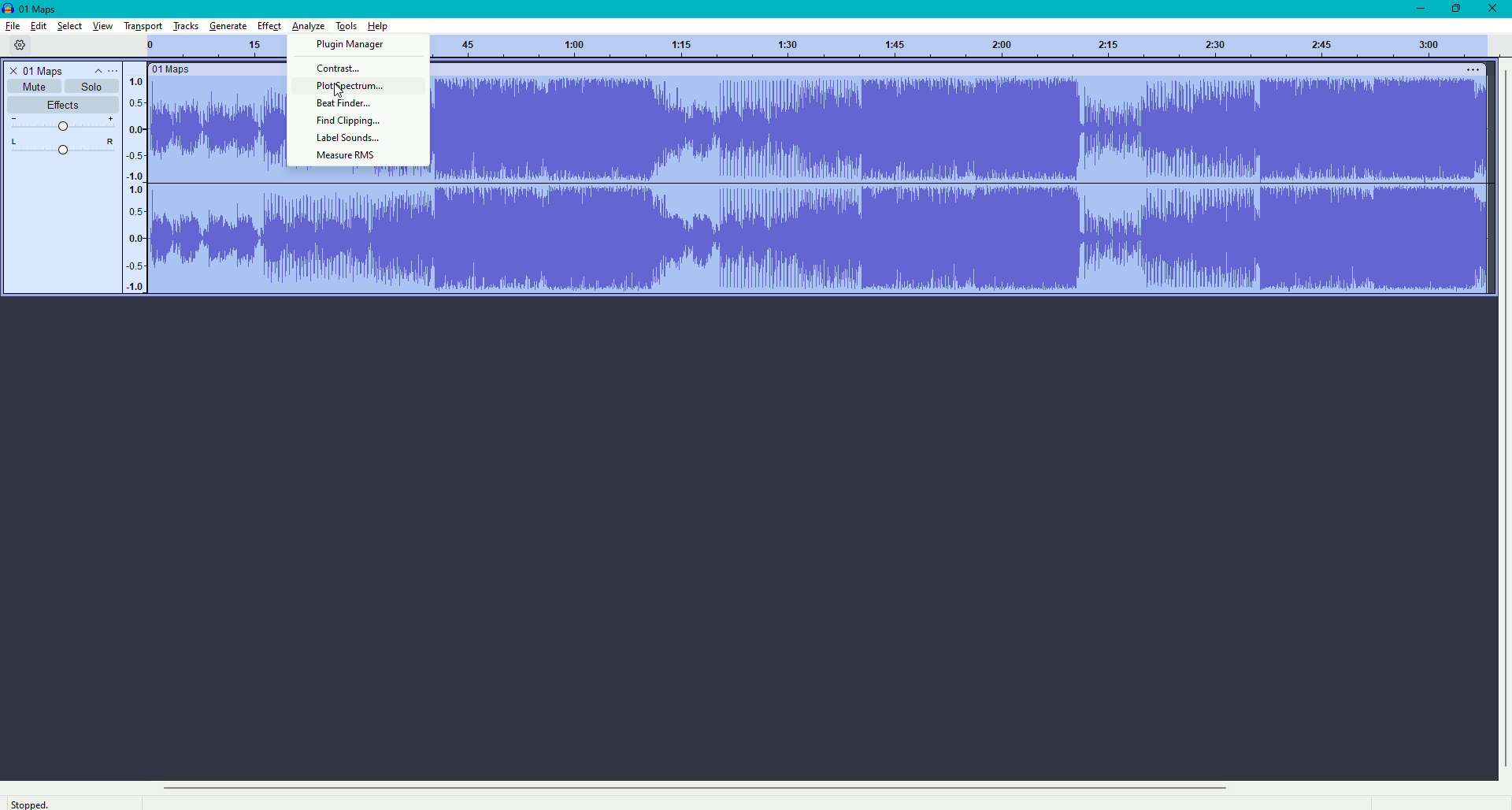  I want to click on Help, so click(375, 25).